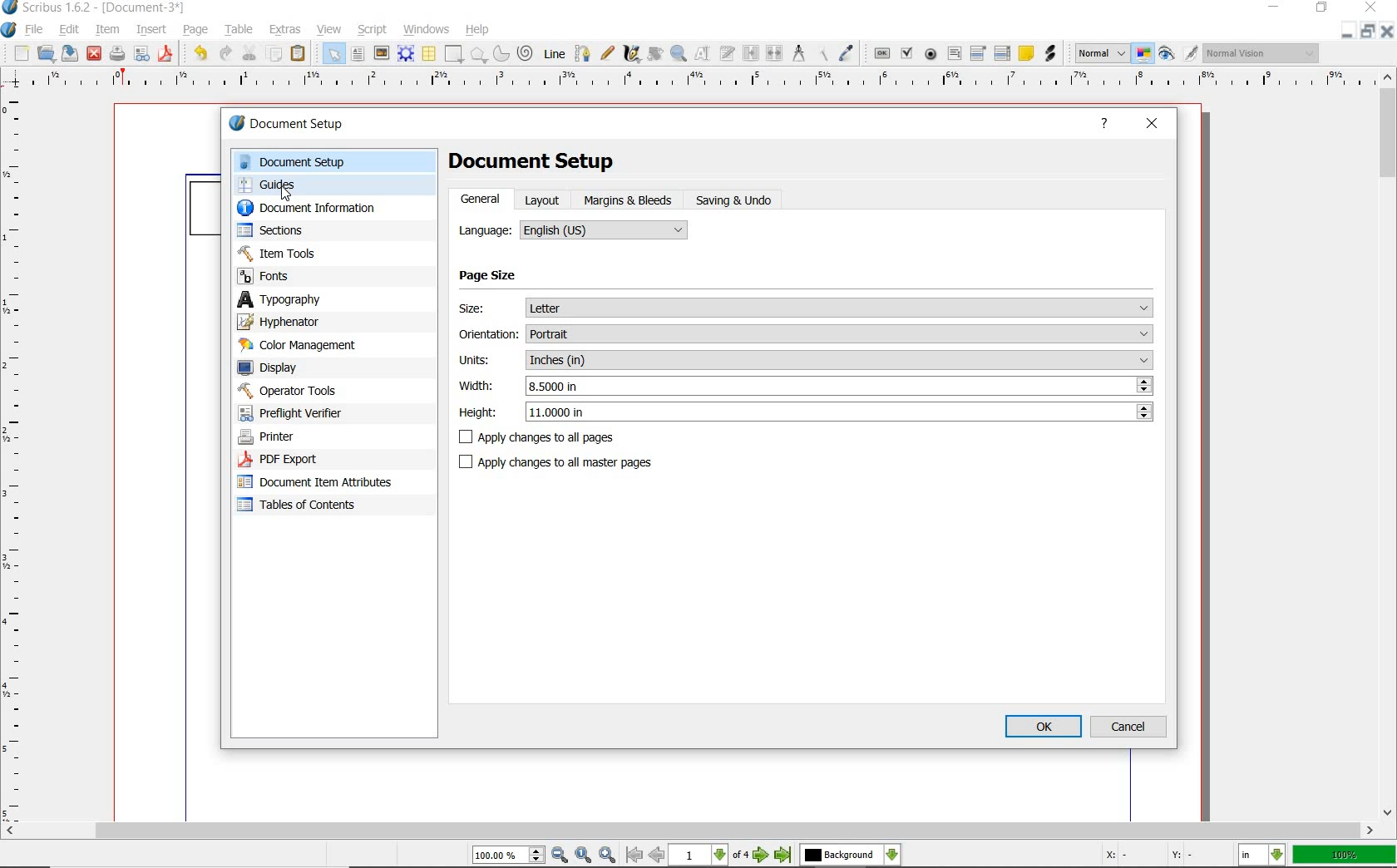  Describe the element at coordinates (9, 31) in the screenshot. I see `system logo` at that location.